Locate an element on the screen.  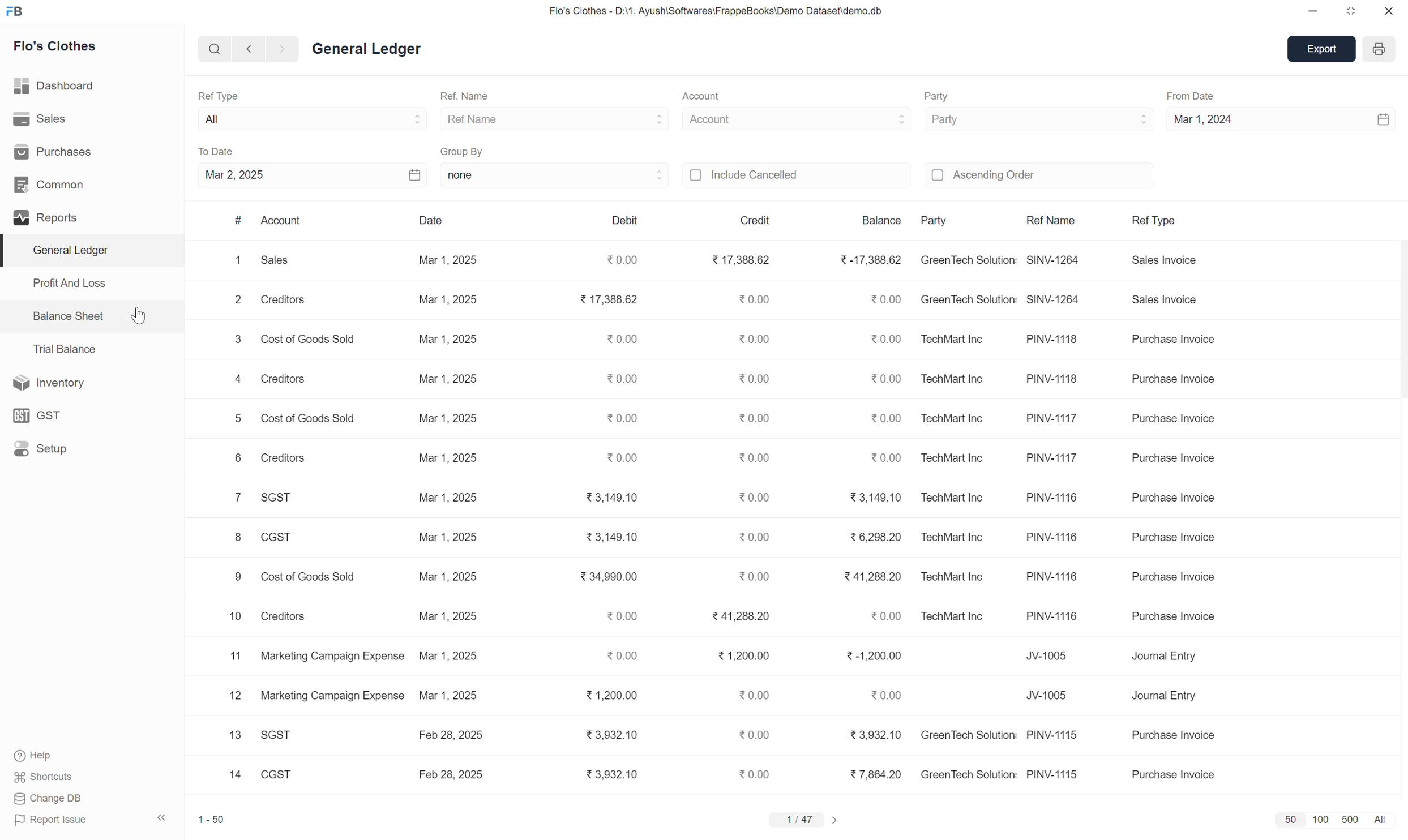
PNW 1117 is located at coordinates (1046, 419).